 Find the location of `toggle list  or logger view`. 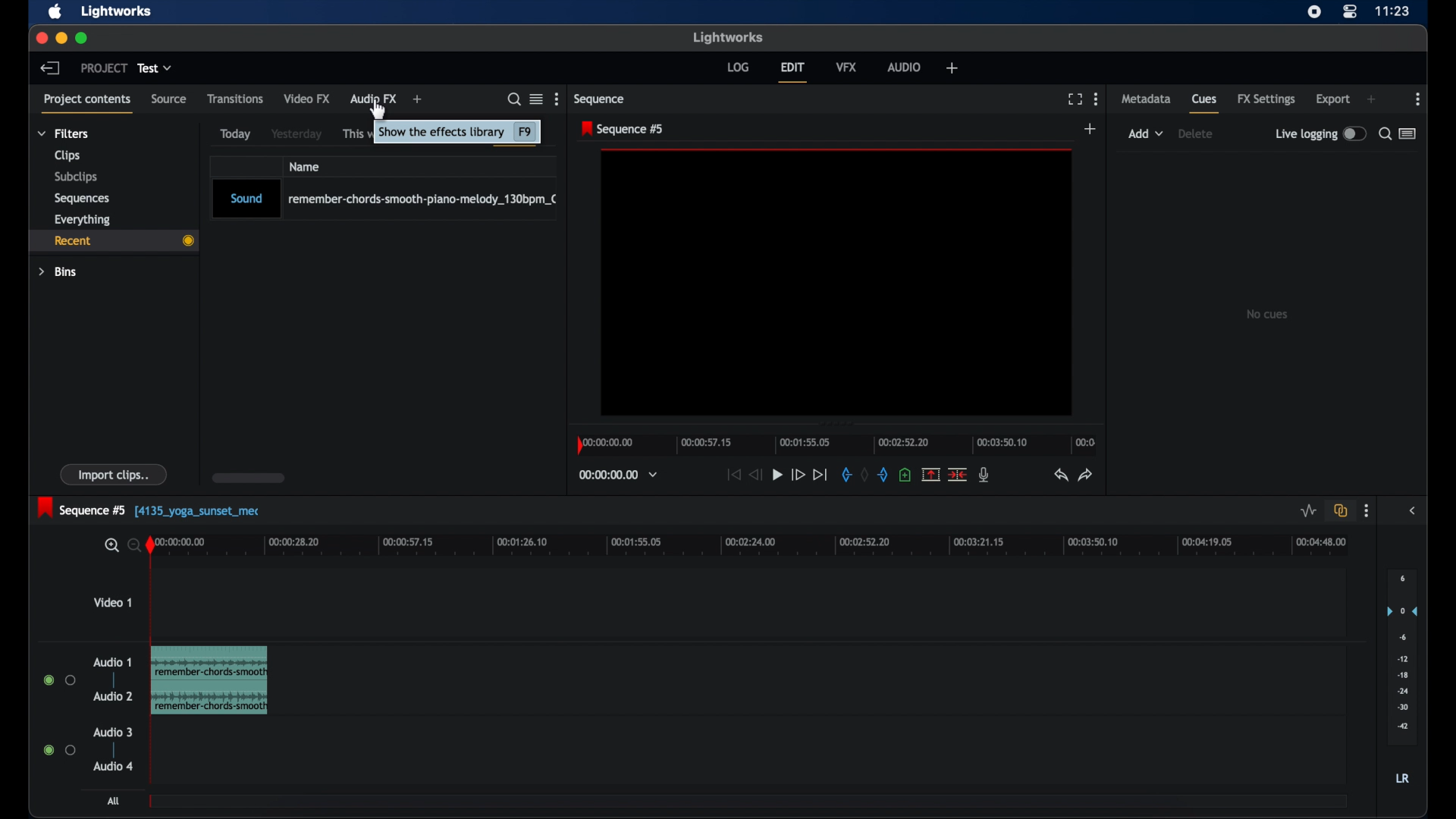

toggle list  or logger view is located at coordinates (1407, 133).